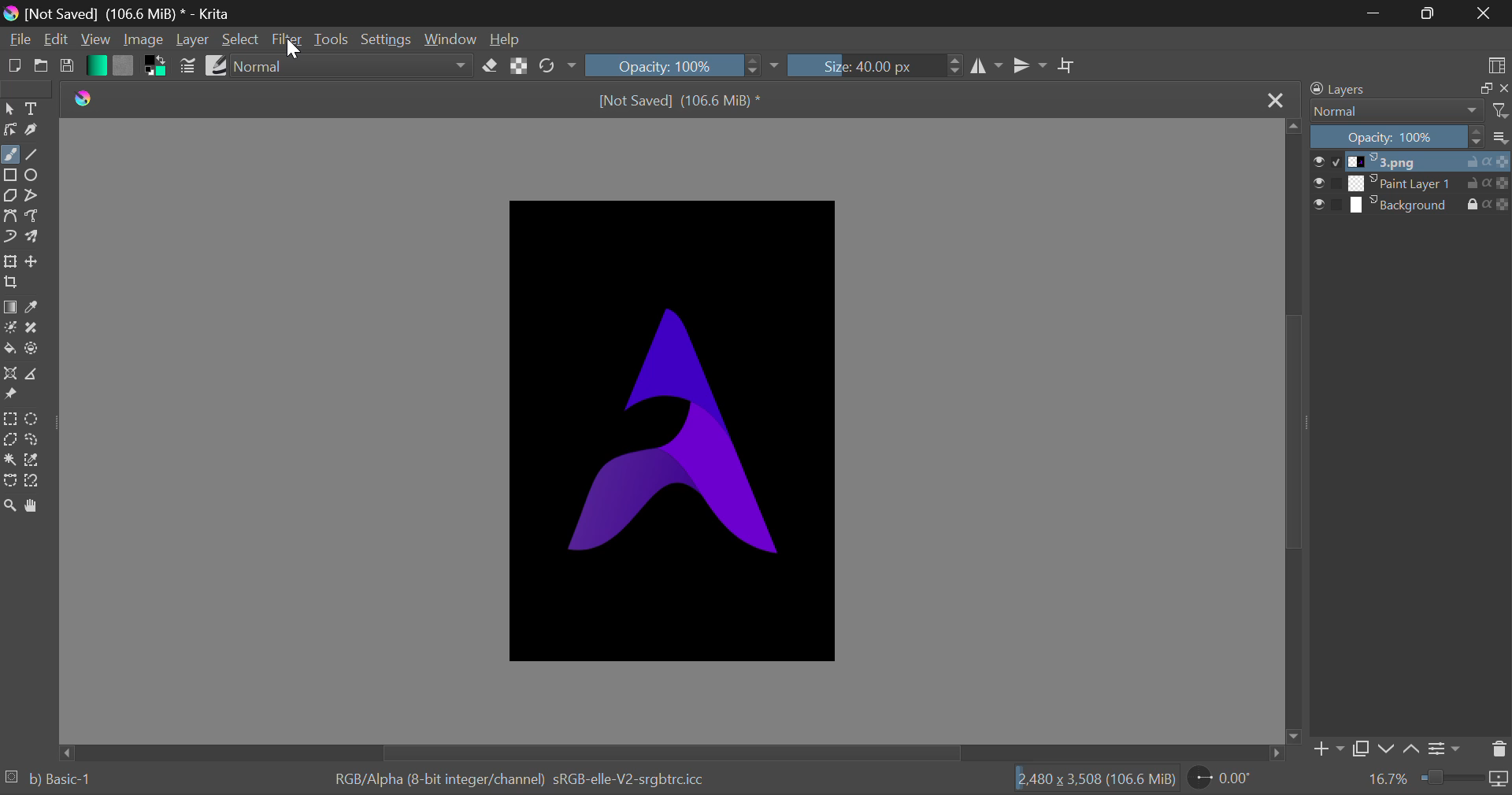  I want to click on Freehand Path Tool, so click(36, 217).